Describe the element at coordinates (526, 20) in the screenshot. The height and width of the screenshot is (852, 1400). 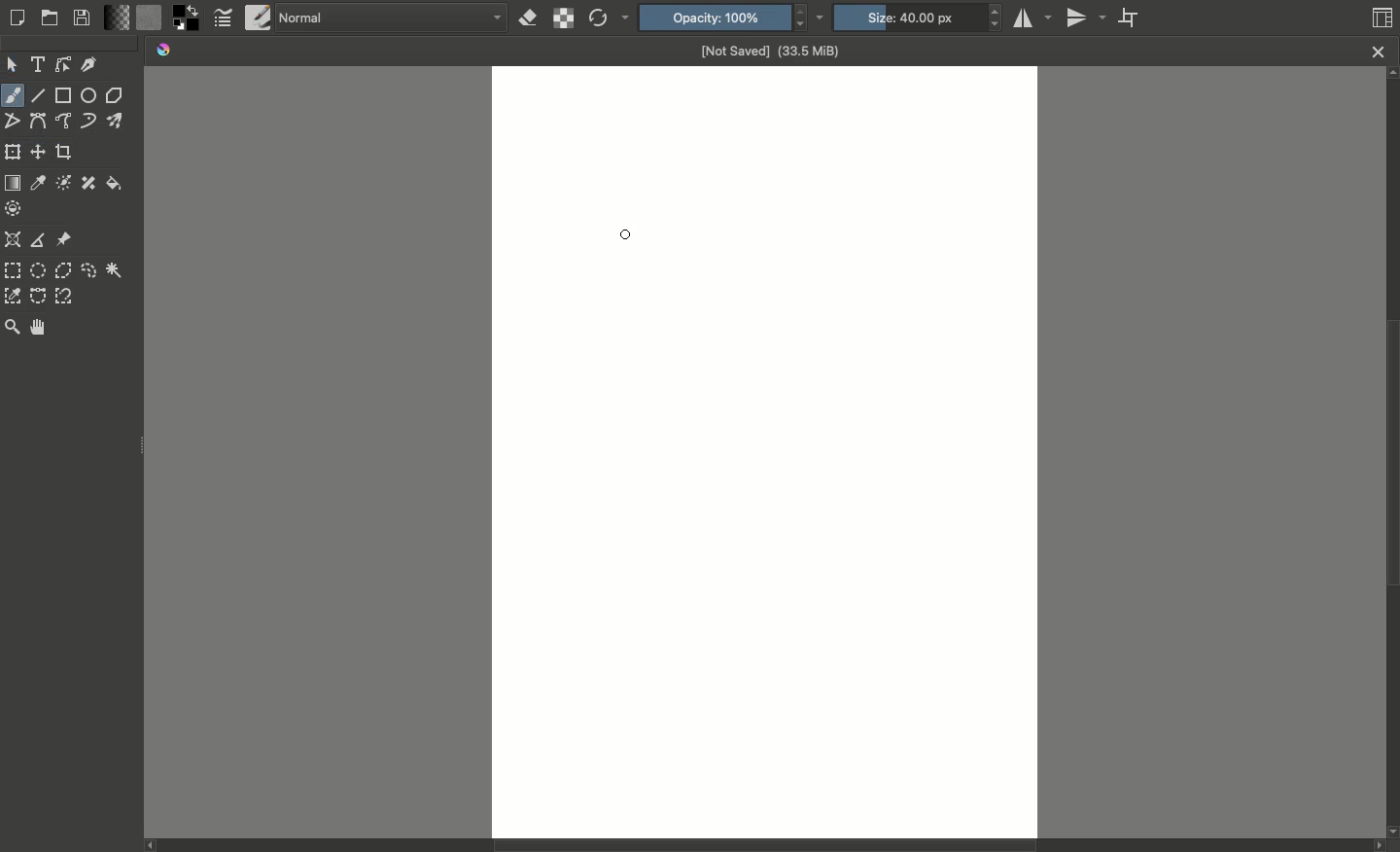
I see `Set eraser mode` at that location.